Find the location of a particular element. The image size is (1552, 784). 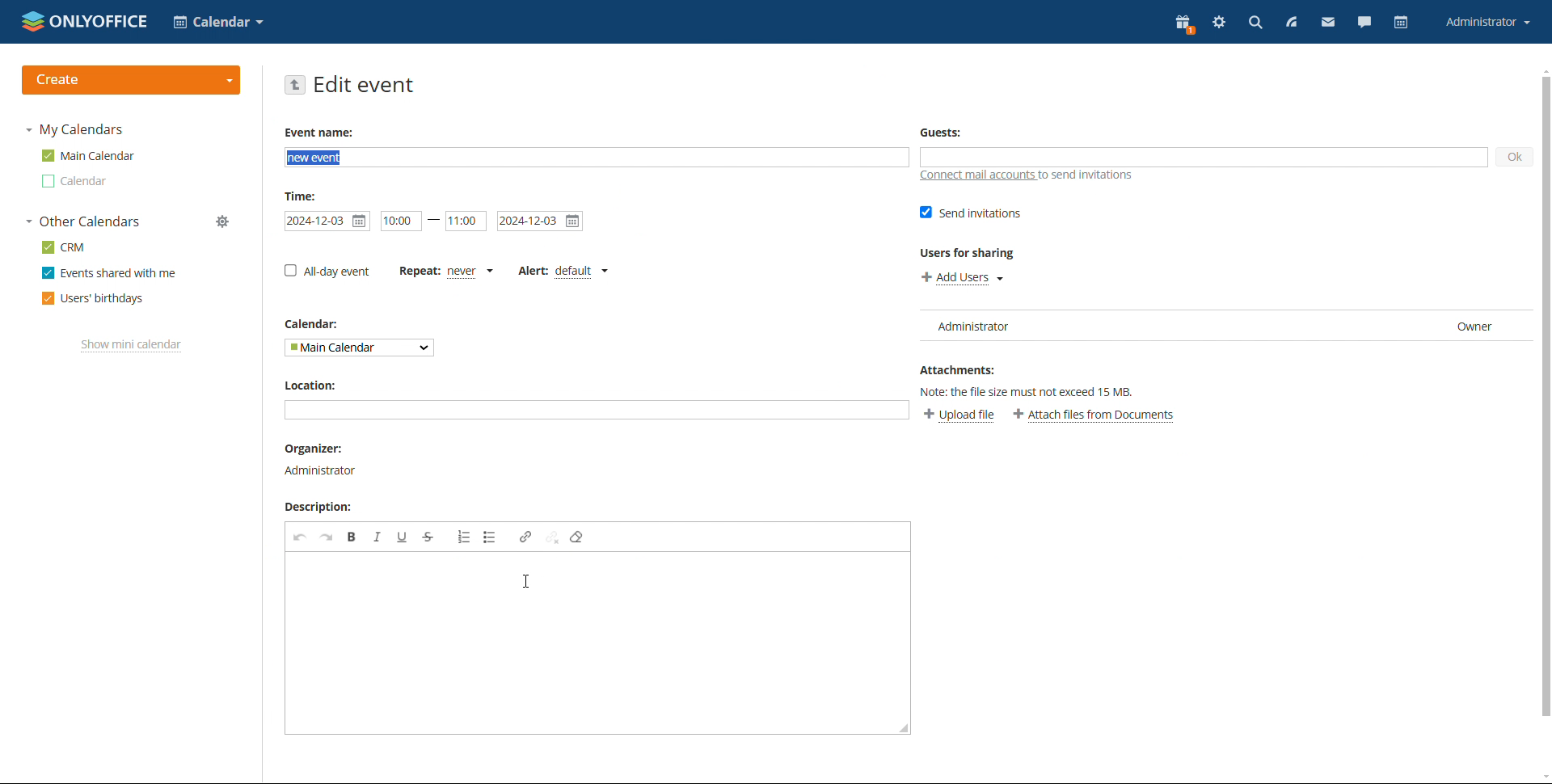

scrollbar is located at coordinates (1546, 397).